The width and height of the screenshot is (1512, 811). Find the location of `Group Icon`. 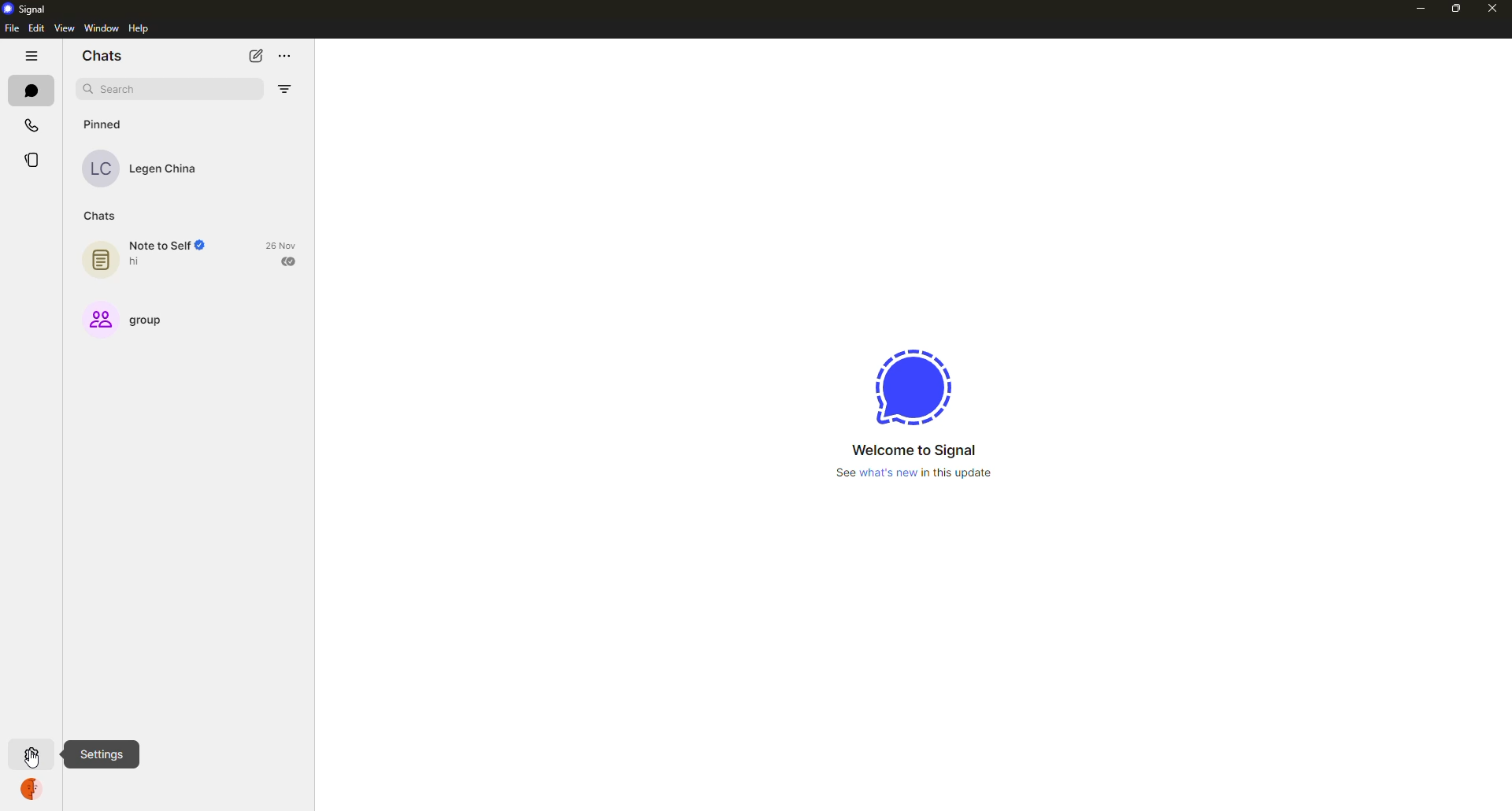

Group Icon is located at coordinates (97, 318).